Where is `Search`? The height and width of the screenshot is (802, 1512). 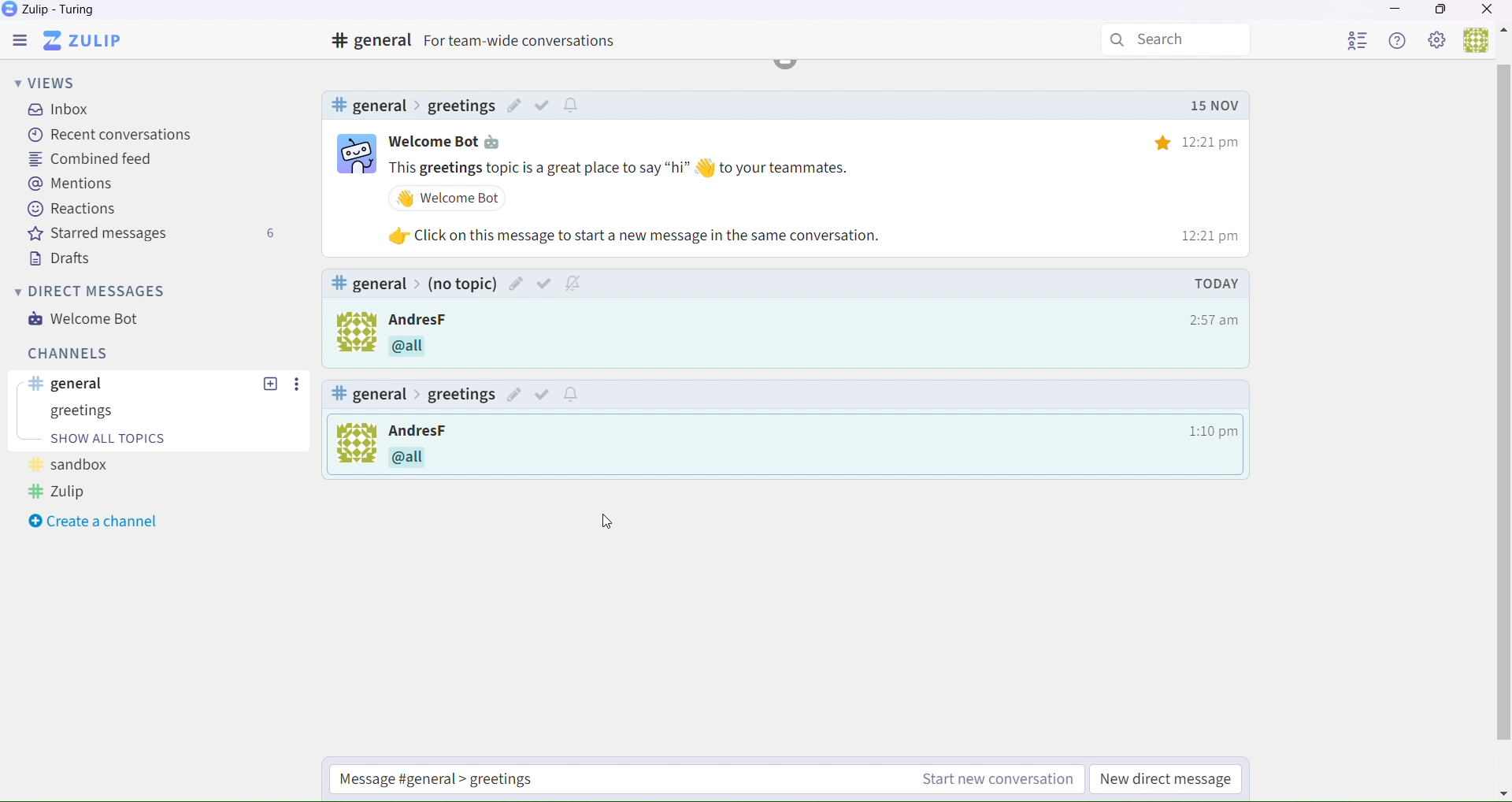 Search is located at coordinates (1177, 40).